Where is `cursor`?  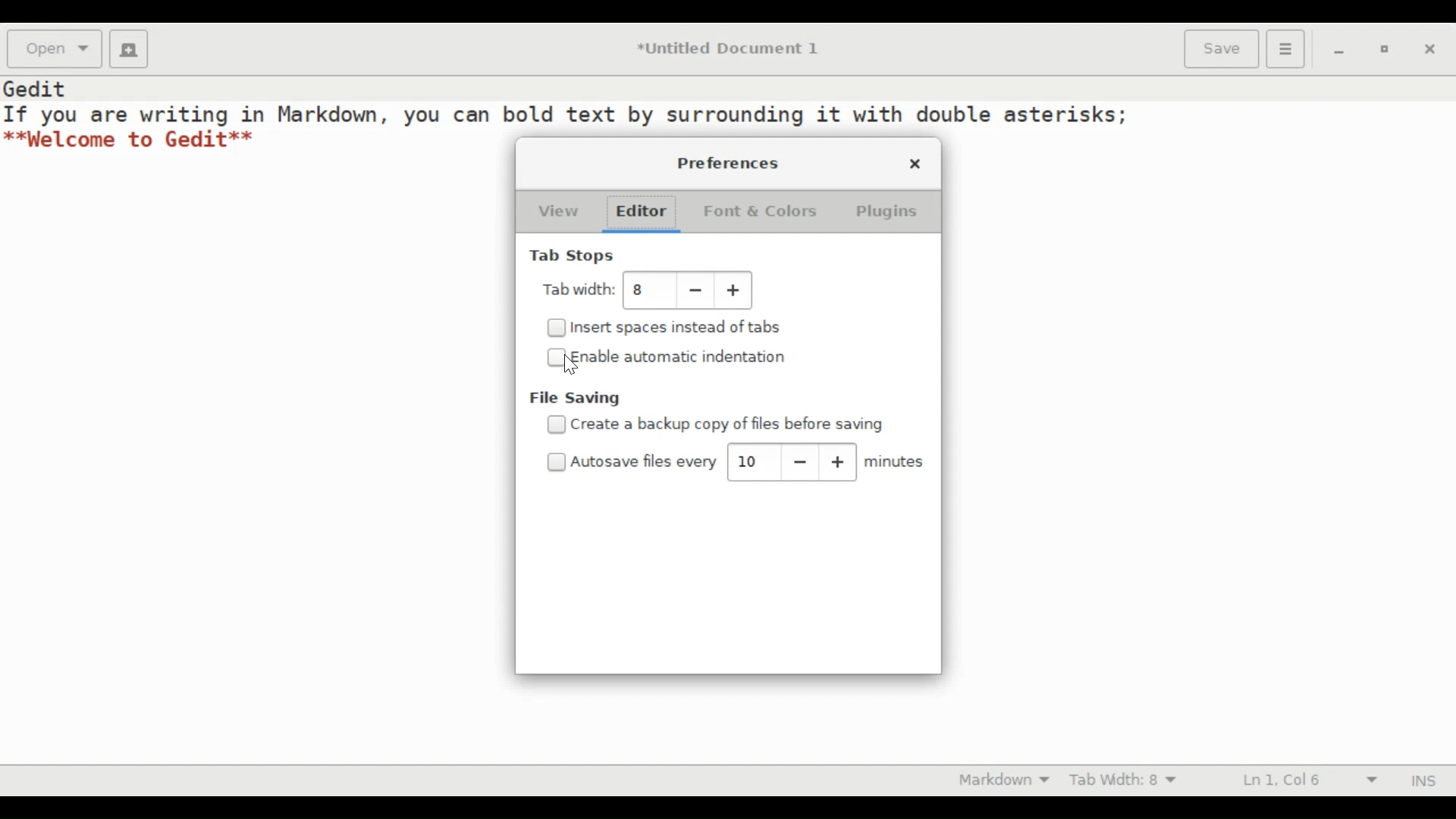 cursor is located at coordinates (574, 368).